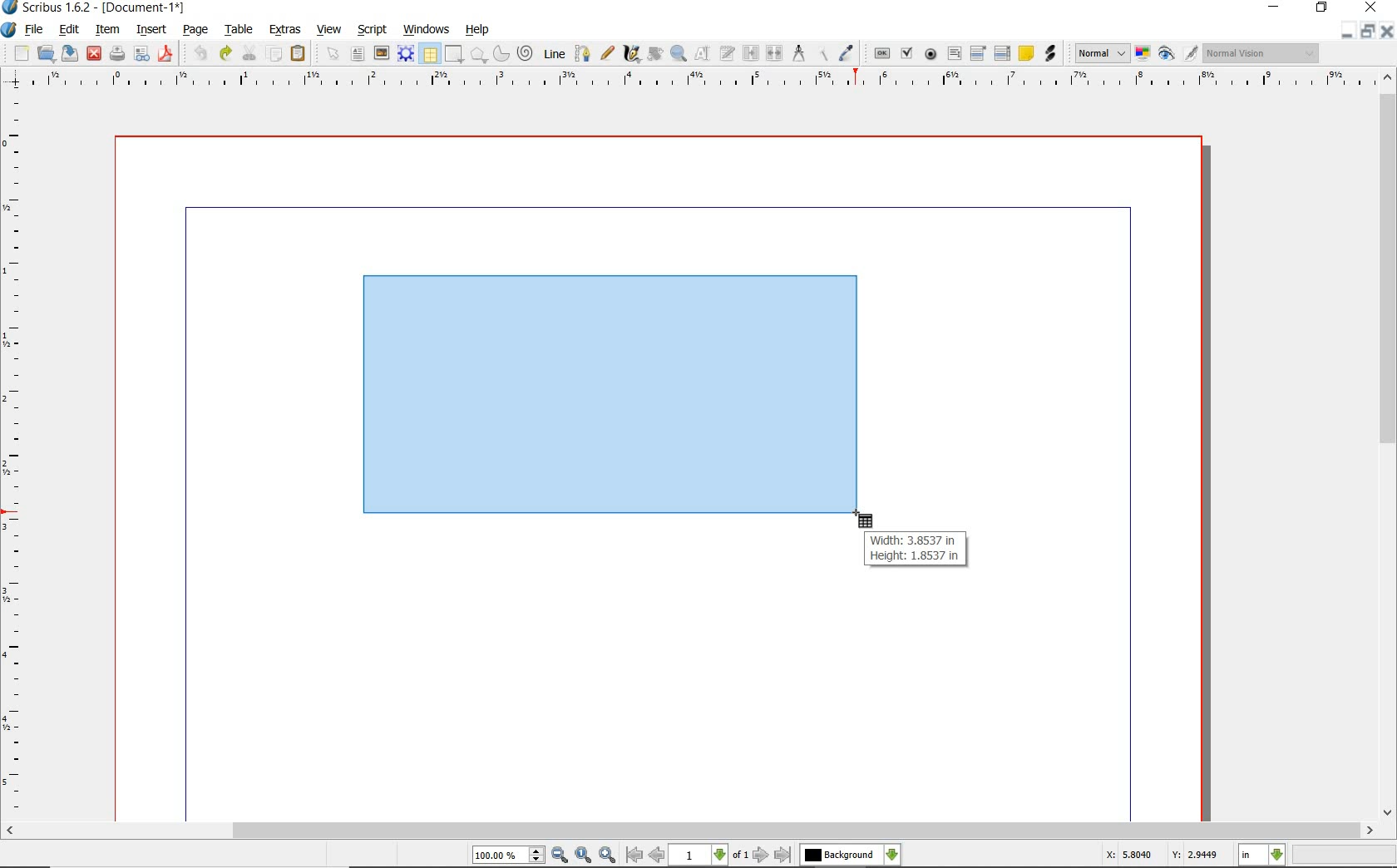 This screenshot has height=868, width=1397. I want to click on help, so click(477, 30).